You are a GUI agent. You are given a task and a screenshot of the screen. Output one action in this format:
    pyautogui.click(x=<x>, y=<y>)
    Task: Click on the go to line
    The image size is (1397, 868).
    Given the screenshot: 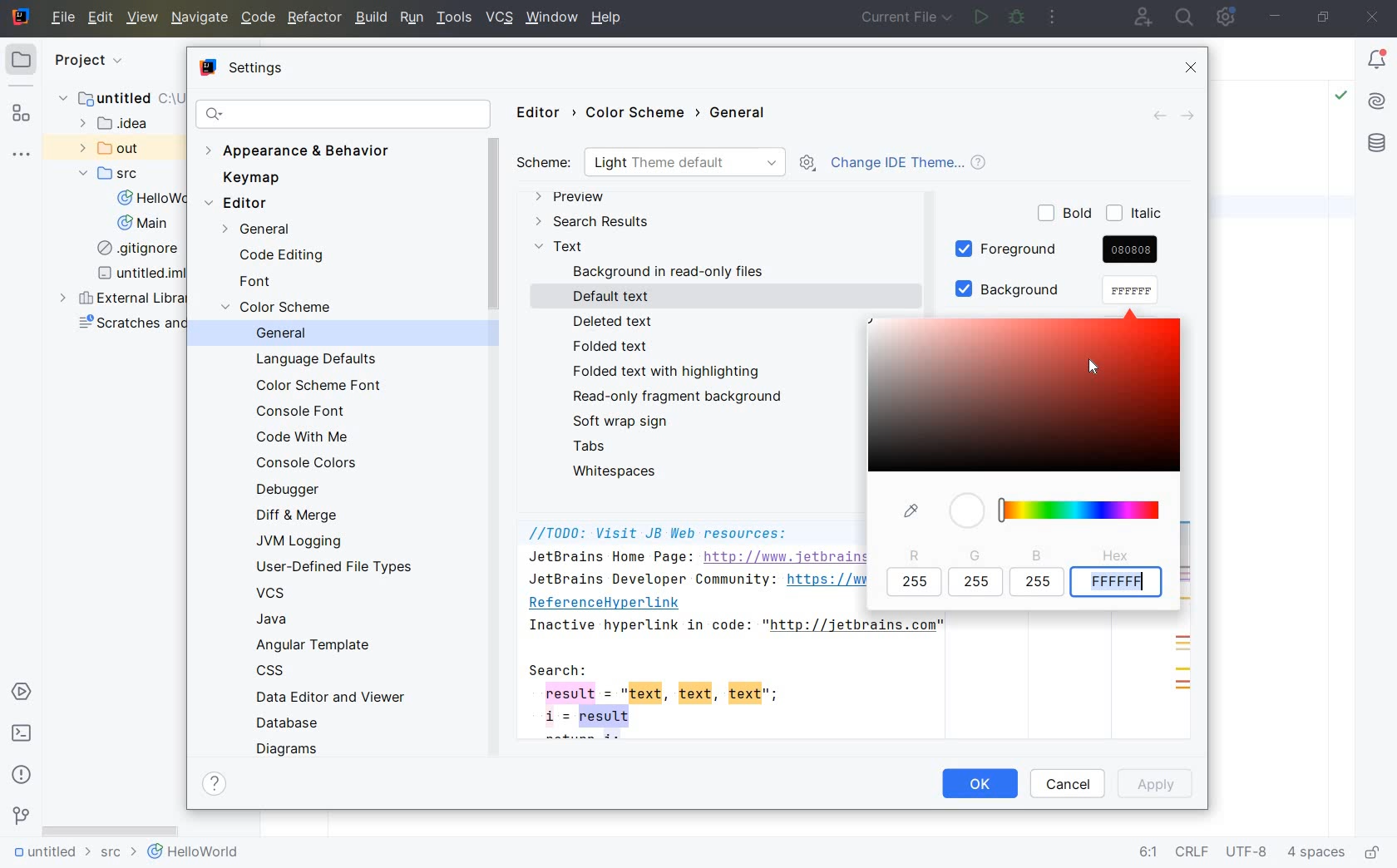 What is the action you would take?
    pyautogui.click(x=1147, y=853)
    